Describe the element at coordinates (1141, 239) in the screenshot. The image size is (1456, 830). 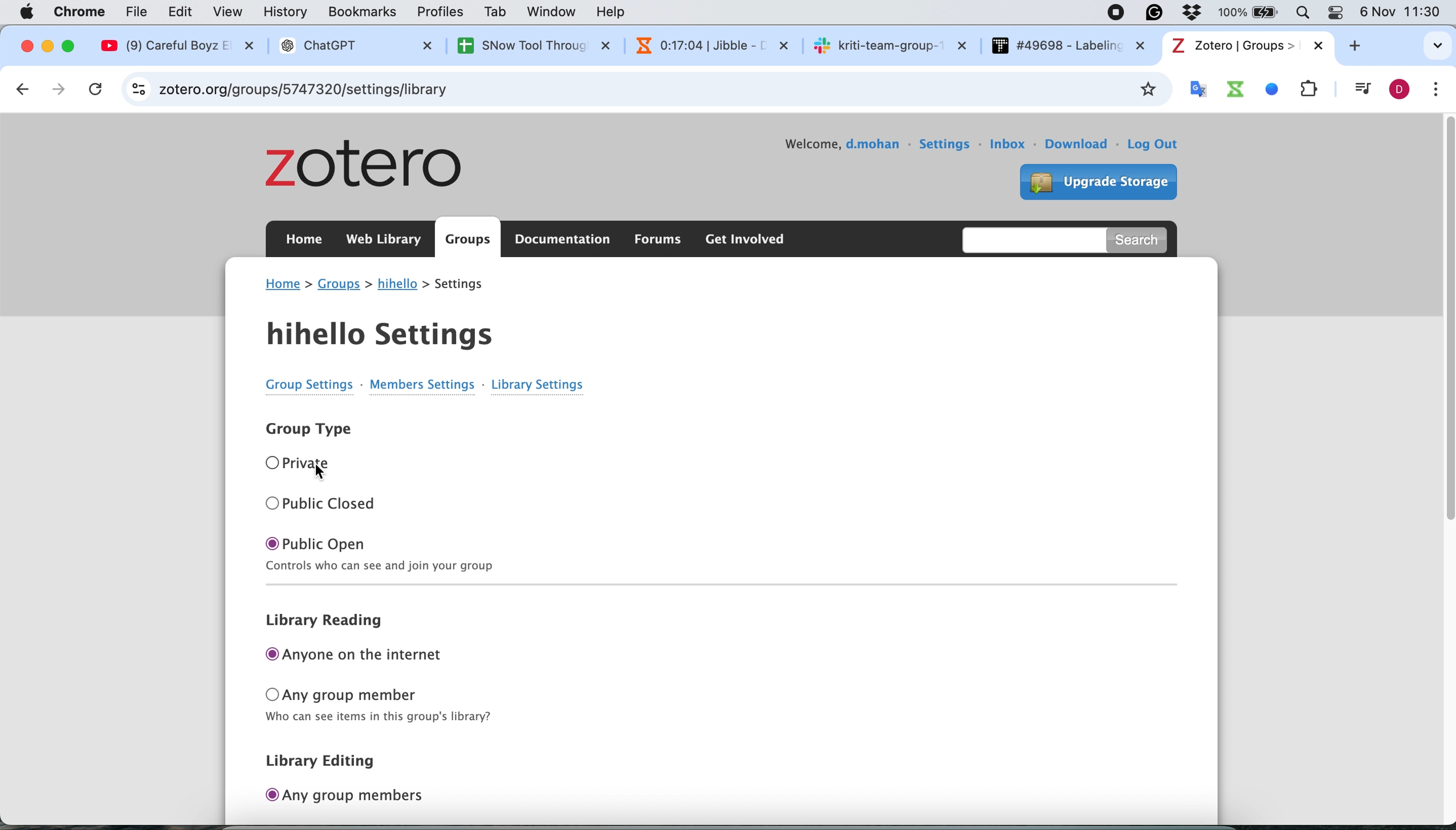
I see `search` at that location.